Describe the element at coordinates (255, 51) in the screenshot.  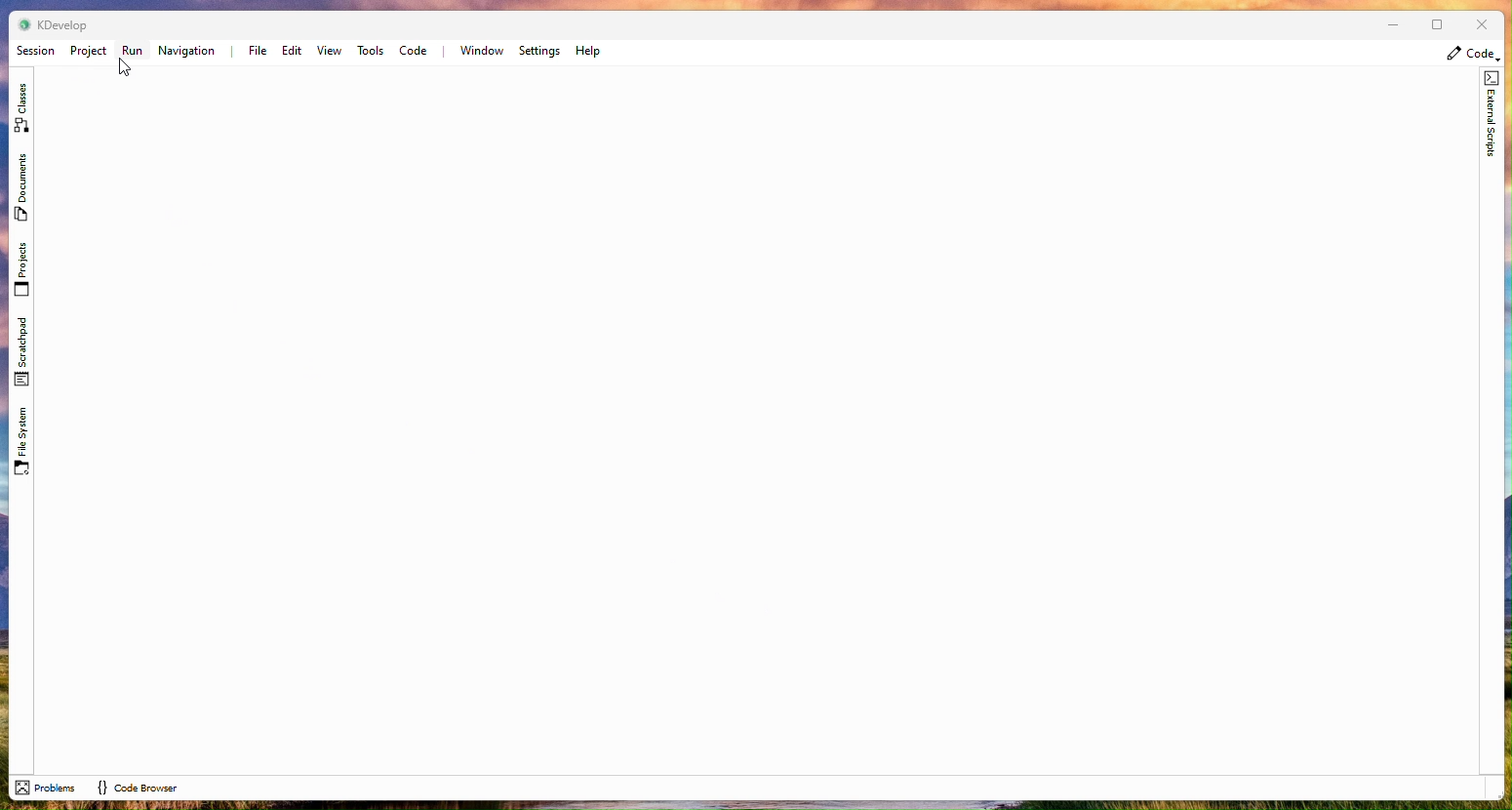
I see `File` at that location.